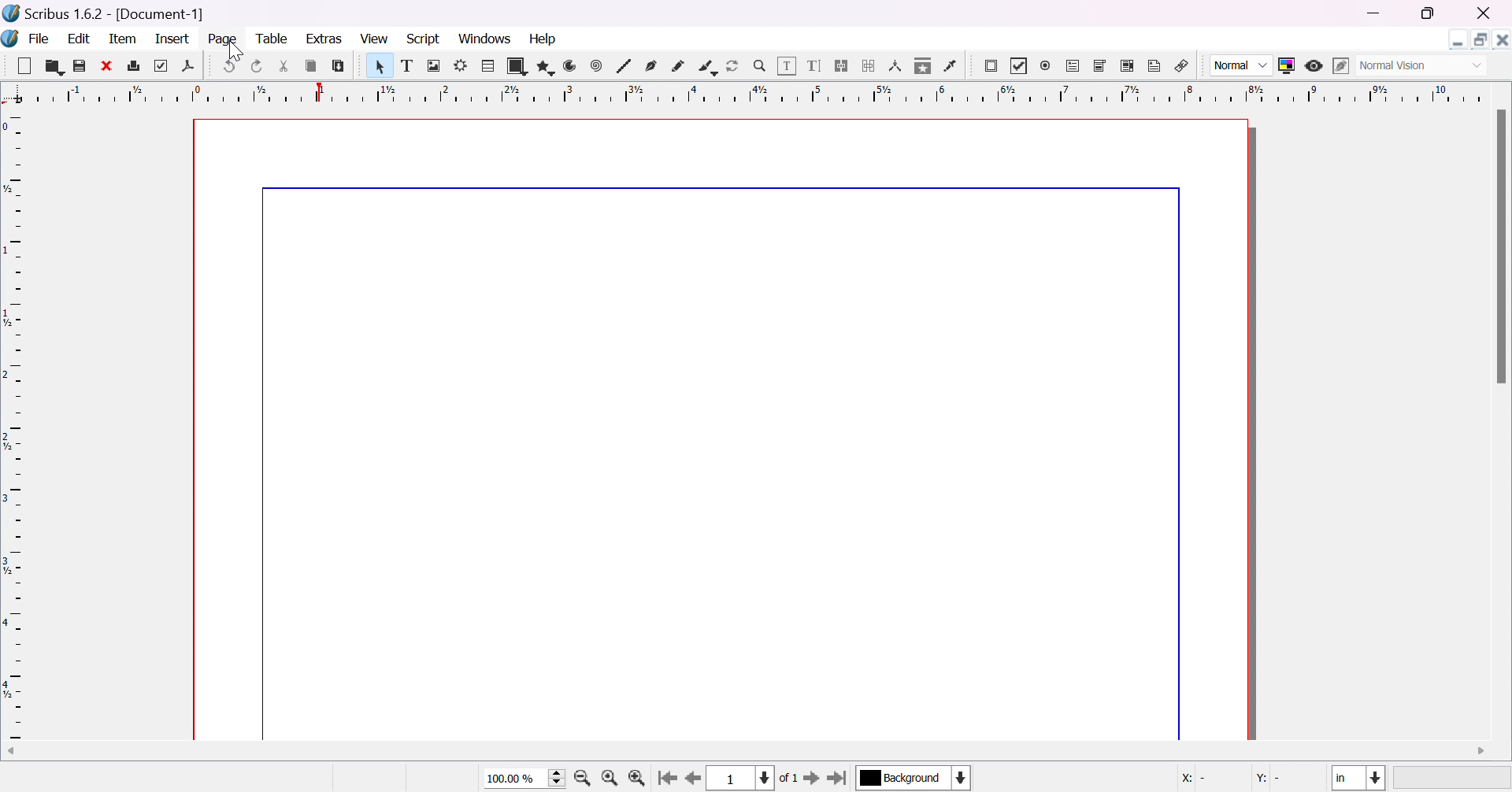 Image resolution: width=1512 pixels, height=792 pixels. Describe the element at coordinates (1129, 65) in the screenshot. I see `PDF list box` at that location.